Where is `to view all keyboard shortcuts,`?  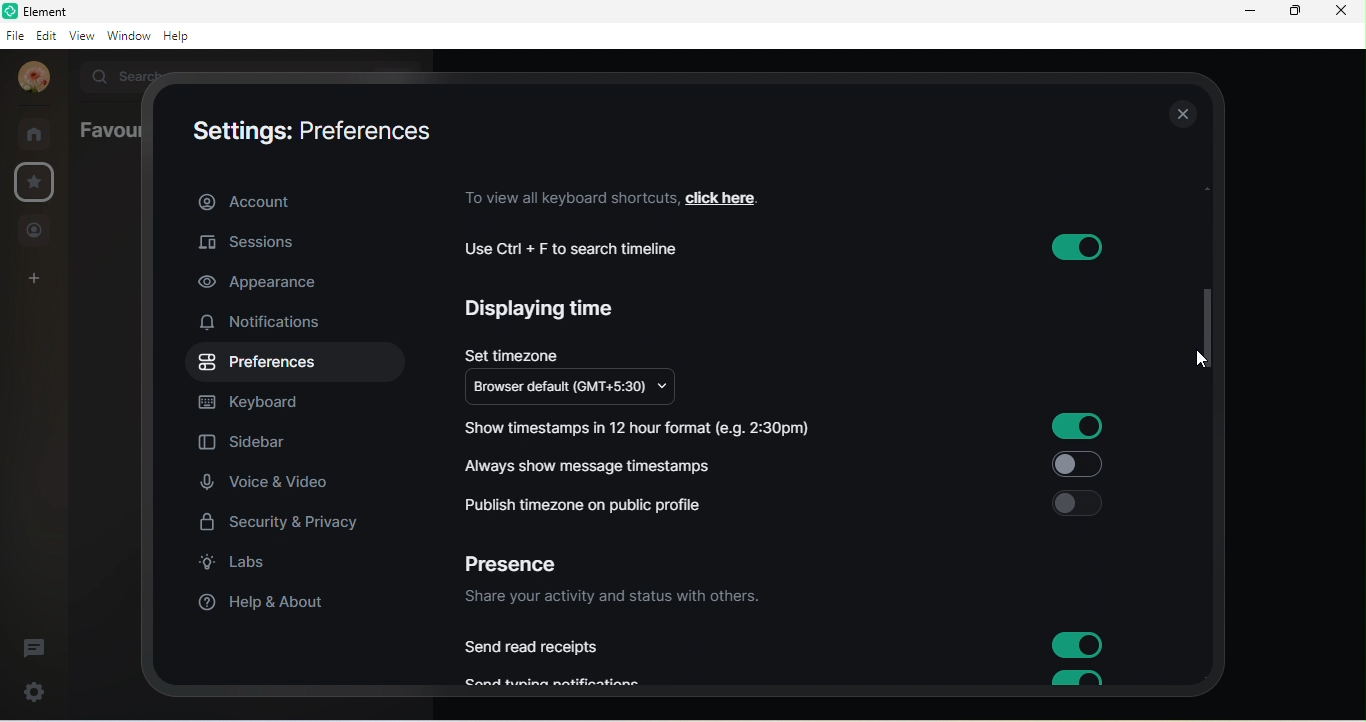 to view all keyboard shortcuts, is located at coordinates (567, 197).